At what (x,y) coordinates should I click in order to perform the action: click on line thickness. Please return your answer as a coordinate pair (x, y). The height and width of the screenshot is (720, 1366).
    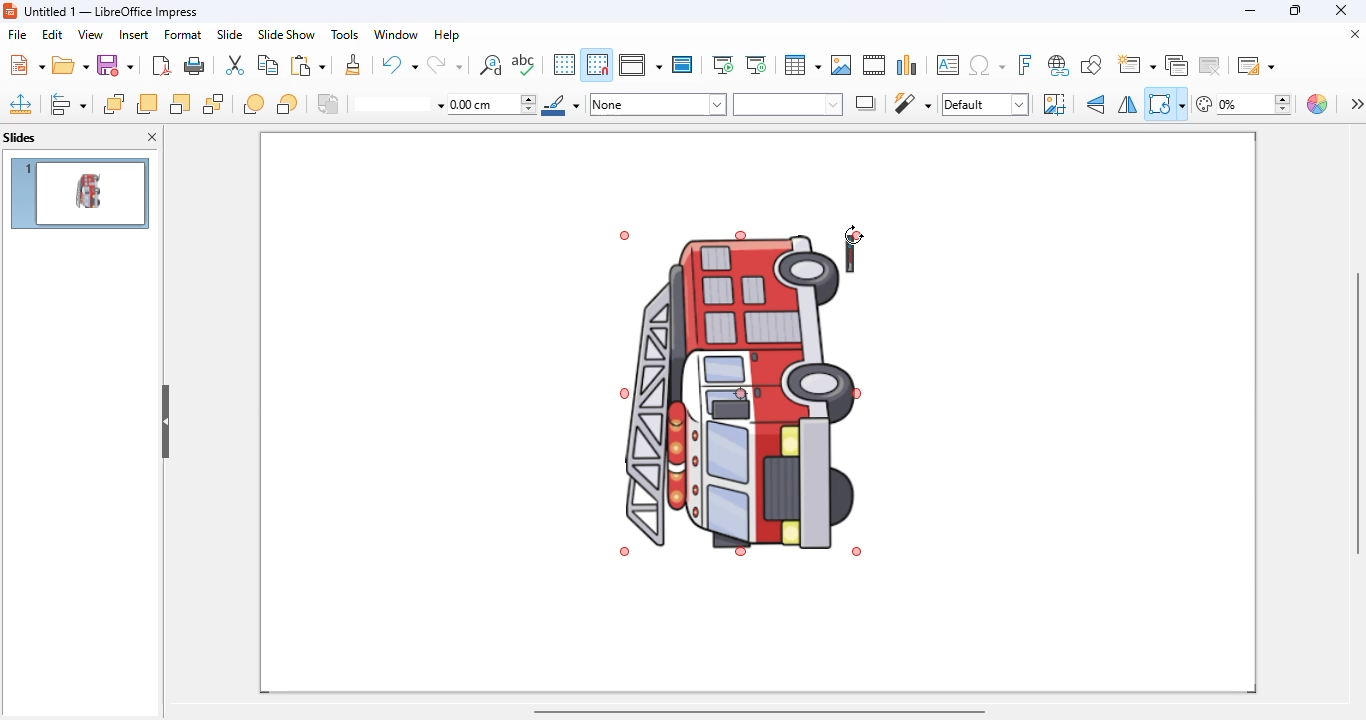
    Looking at the image, I should click on (493, 105).